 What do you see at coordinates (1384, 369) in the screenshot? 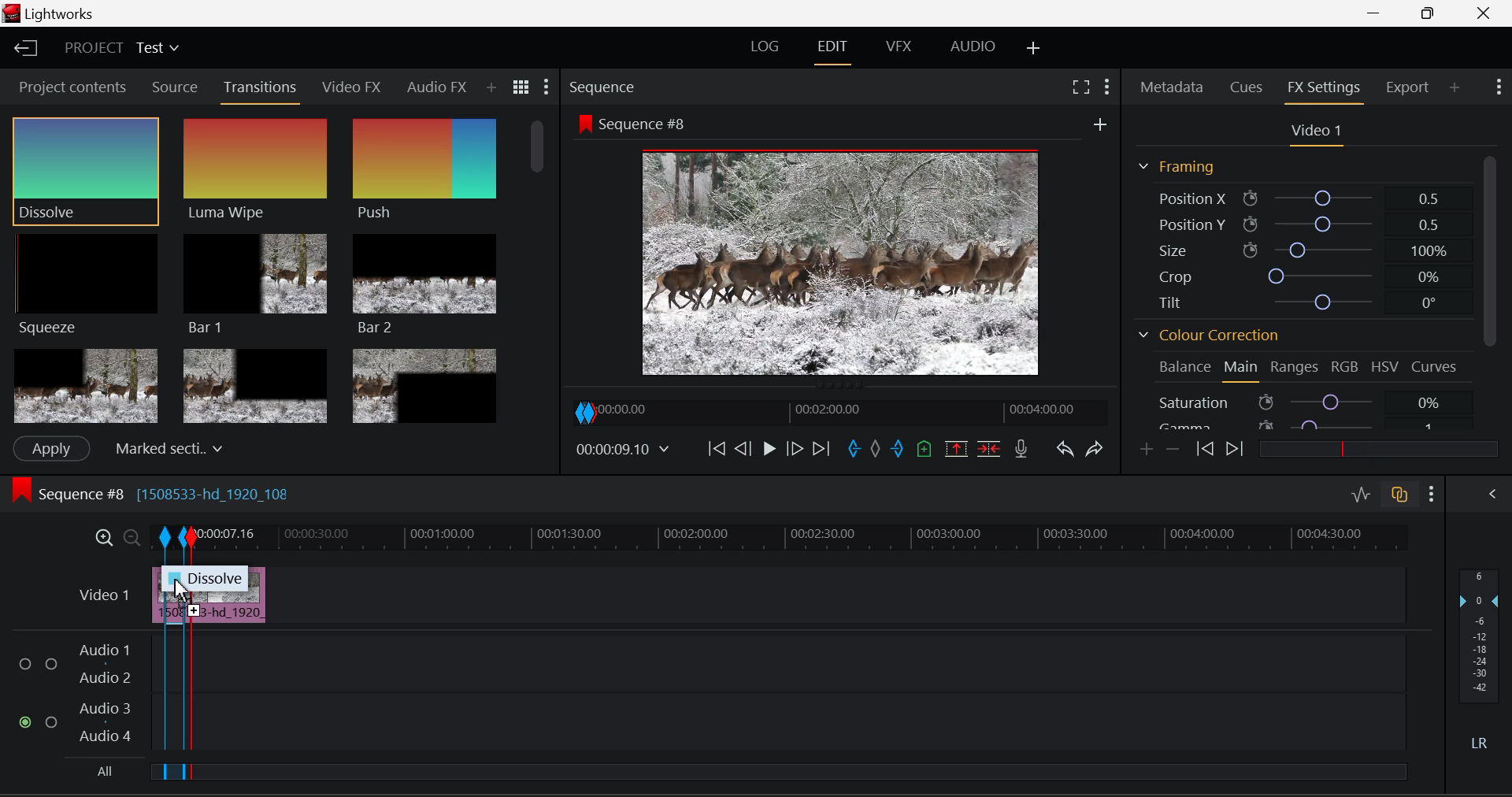
I see `HSV` at bounding box center [1384, 369].